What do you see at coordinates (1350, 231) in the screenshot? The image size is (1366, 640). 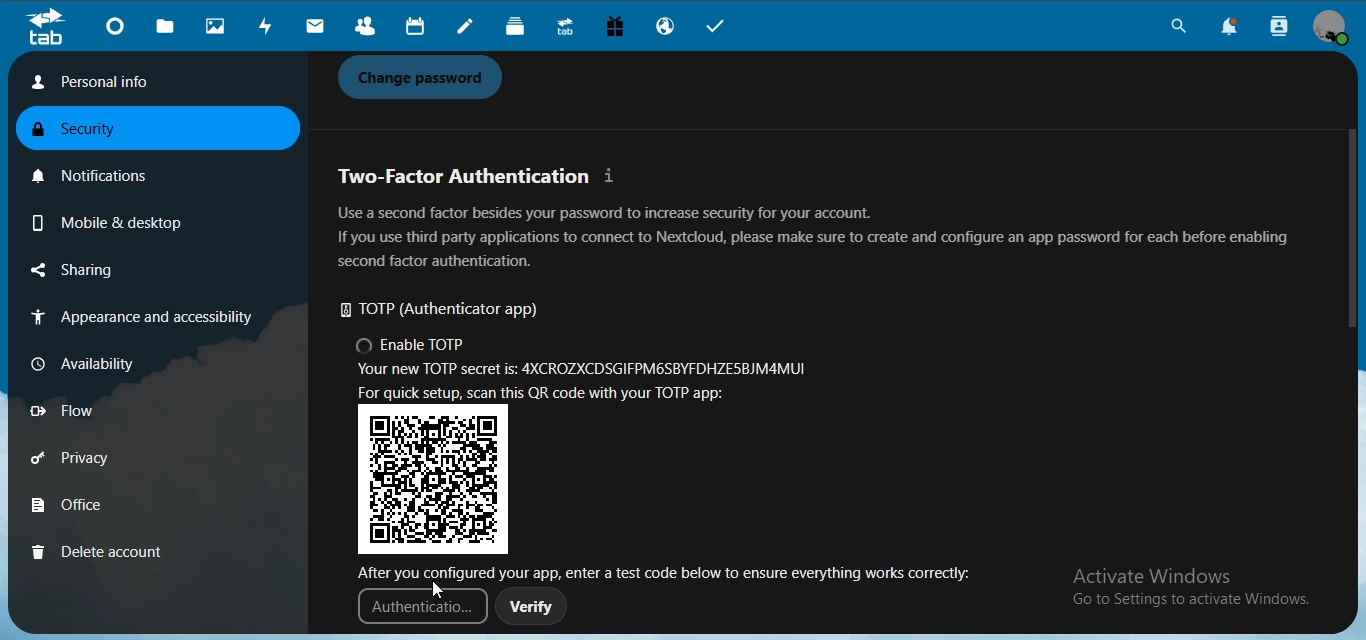 I see `scroll bar` at bounding box center [1350, 231].